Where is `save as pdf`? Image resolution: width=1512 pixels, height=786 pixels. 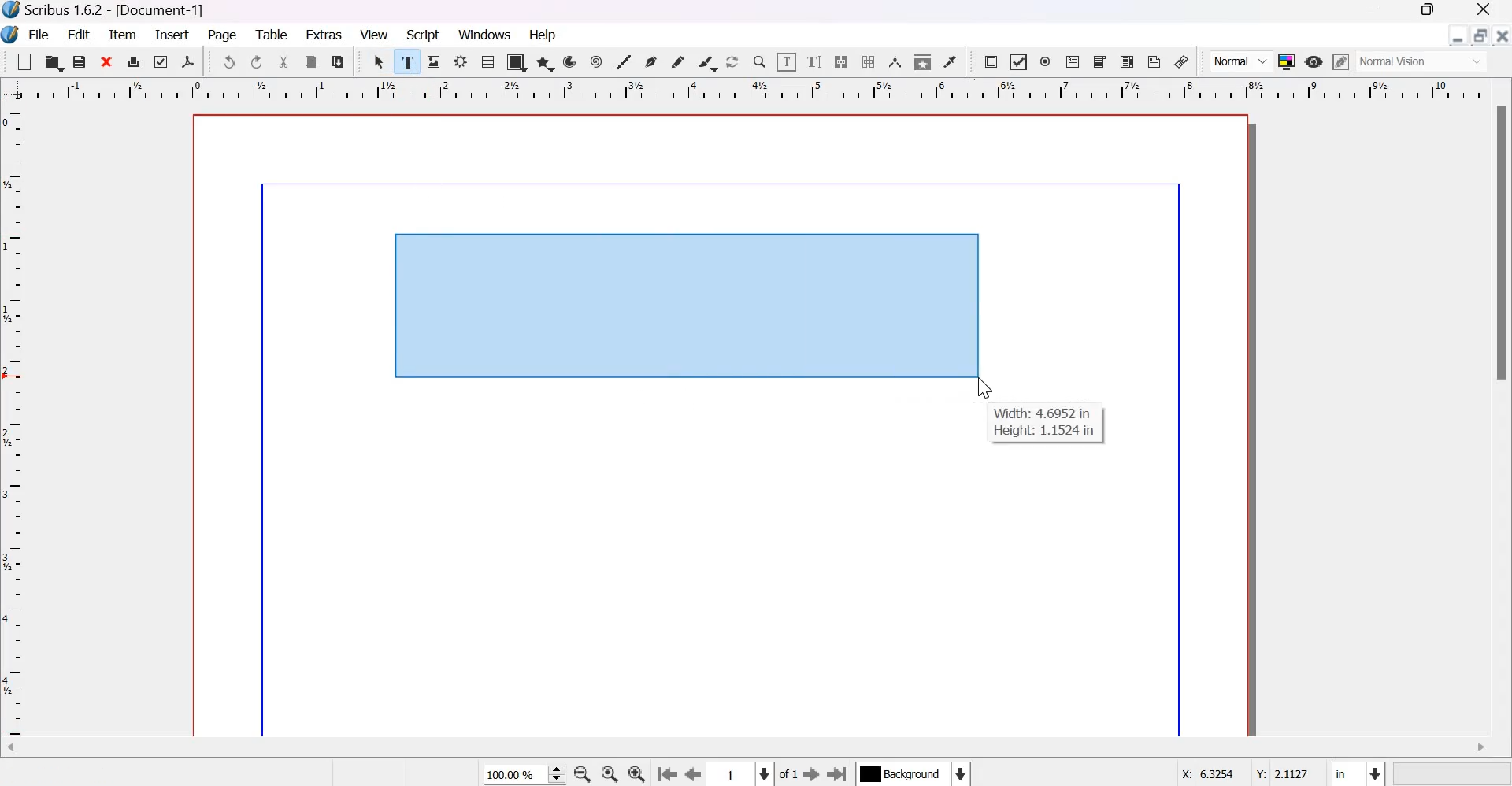 save as pdf is located at coordinates (187, 61).